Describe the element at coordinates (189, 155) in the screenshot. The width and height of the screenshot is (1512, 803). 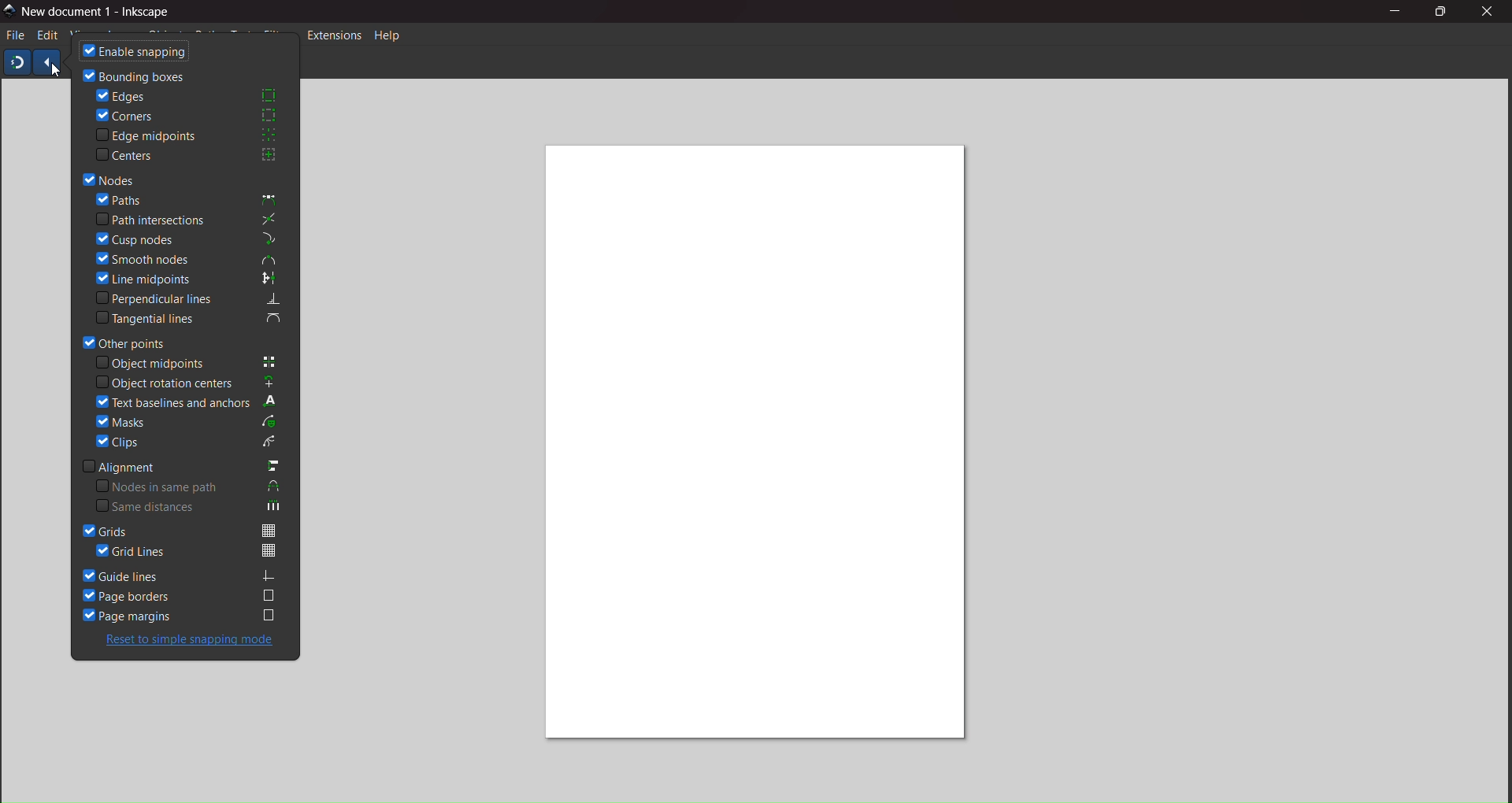
I see `centers` at that location.